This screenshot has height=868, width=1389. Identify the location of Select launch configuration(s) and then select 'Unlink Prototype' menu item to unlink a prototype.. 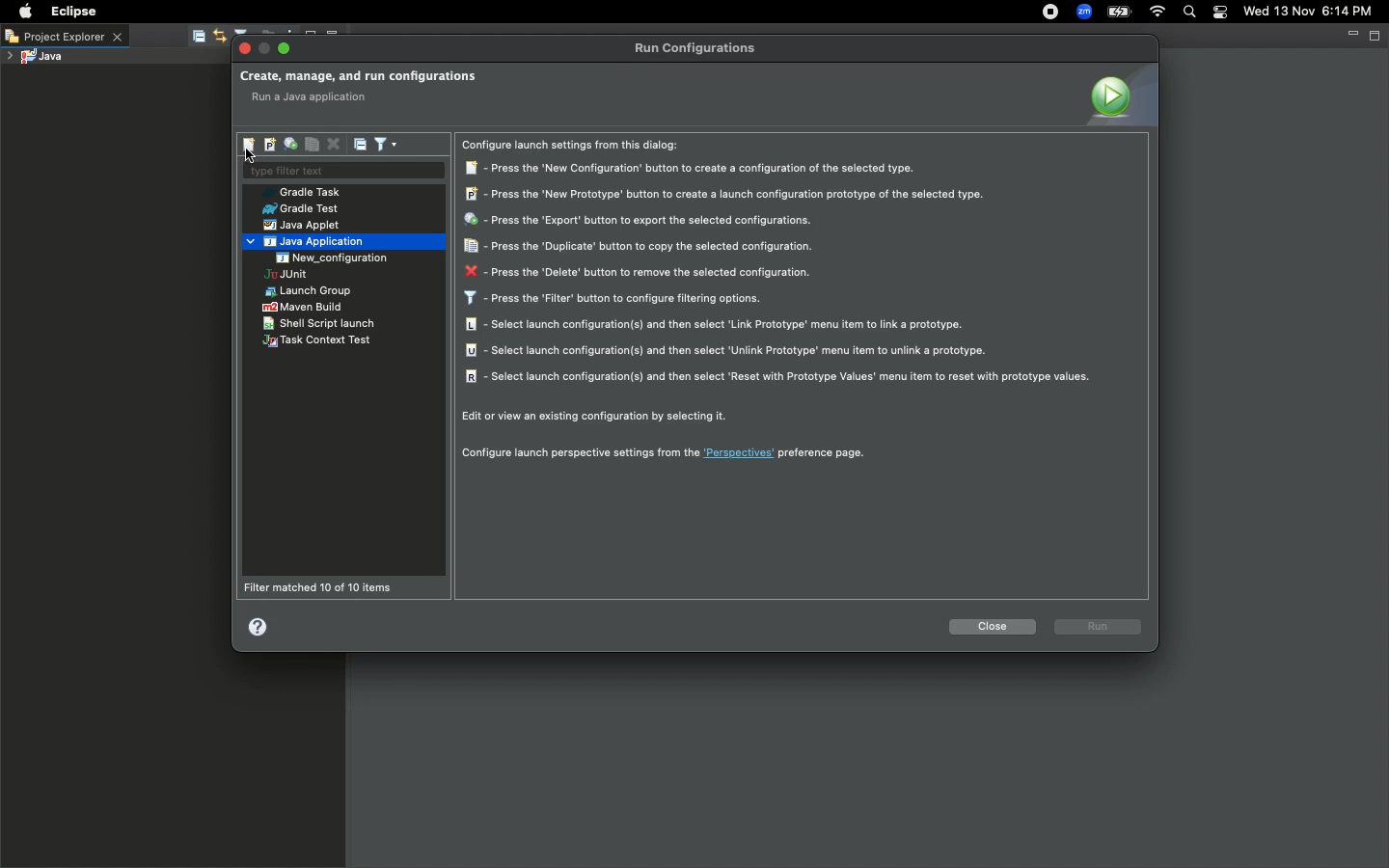
(728, 352).